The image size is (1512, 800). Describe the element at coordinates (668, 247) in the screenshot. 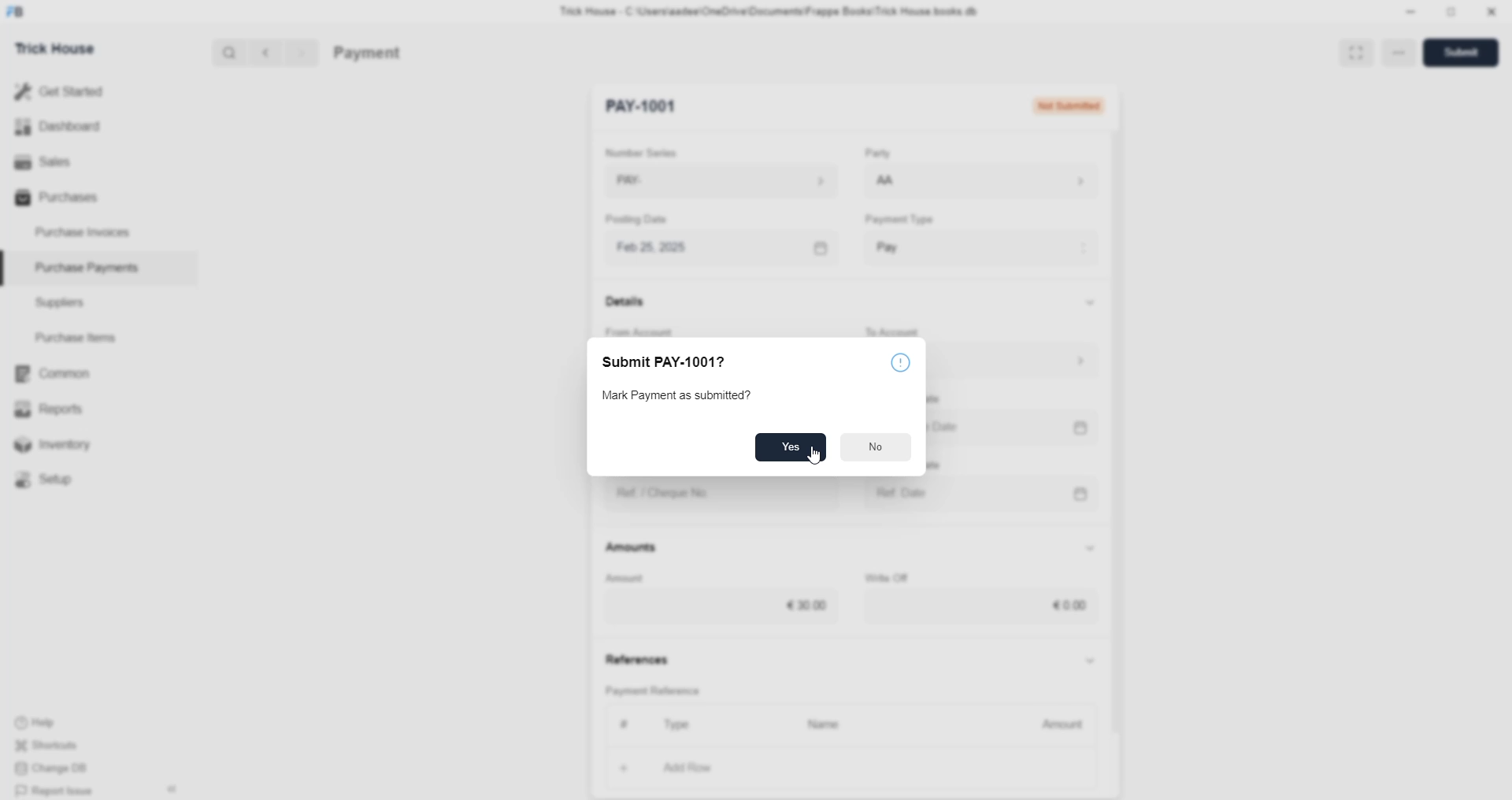

I see `Feb 25,2025` at that location.